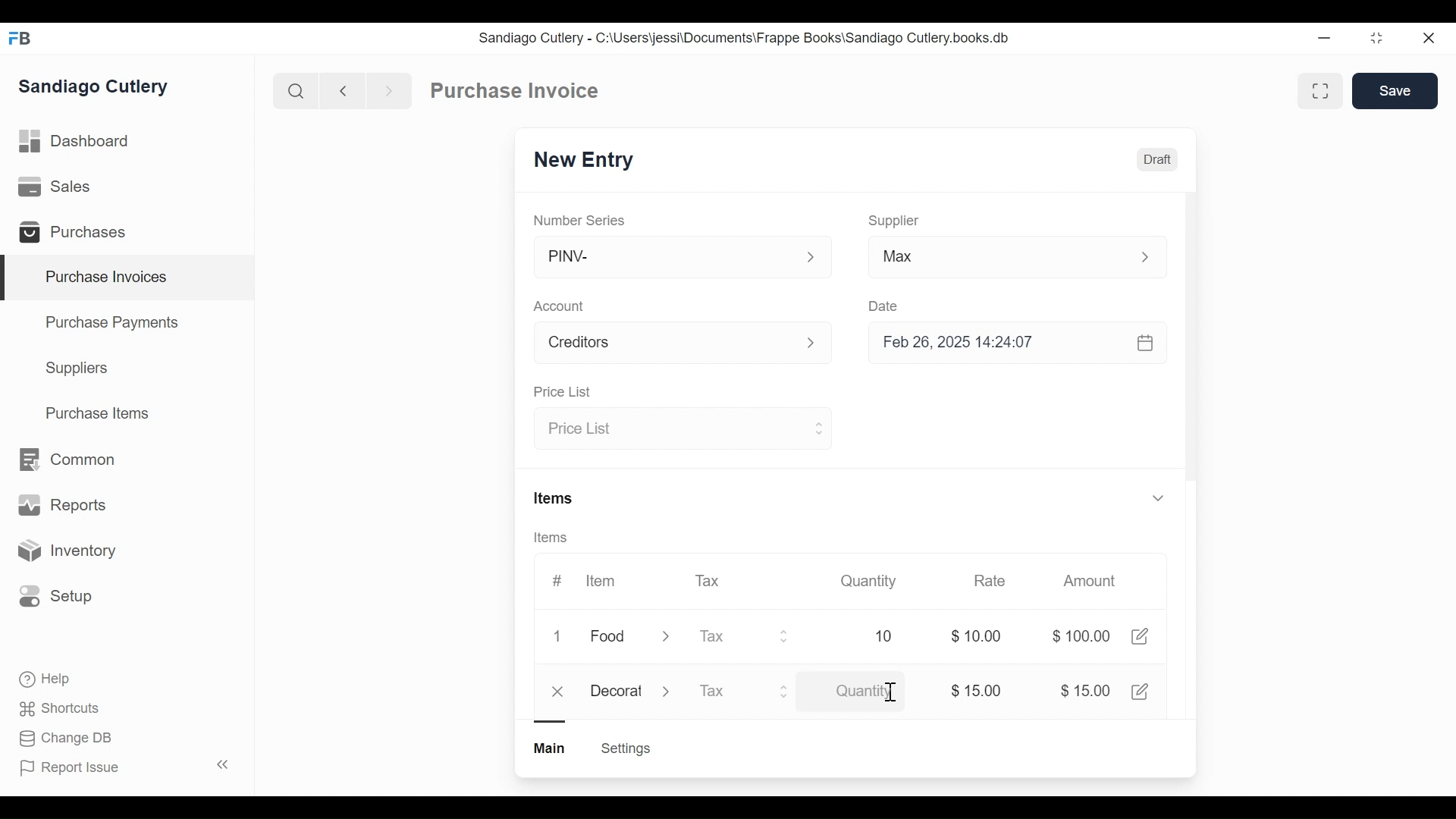 The width and height of the screenshot is (1456, 819). Describe the element at coordinates (562, 308) in the screenshot. I see `Account` at that location.